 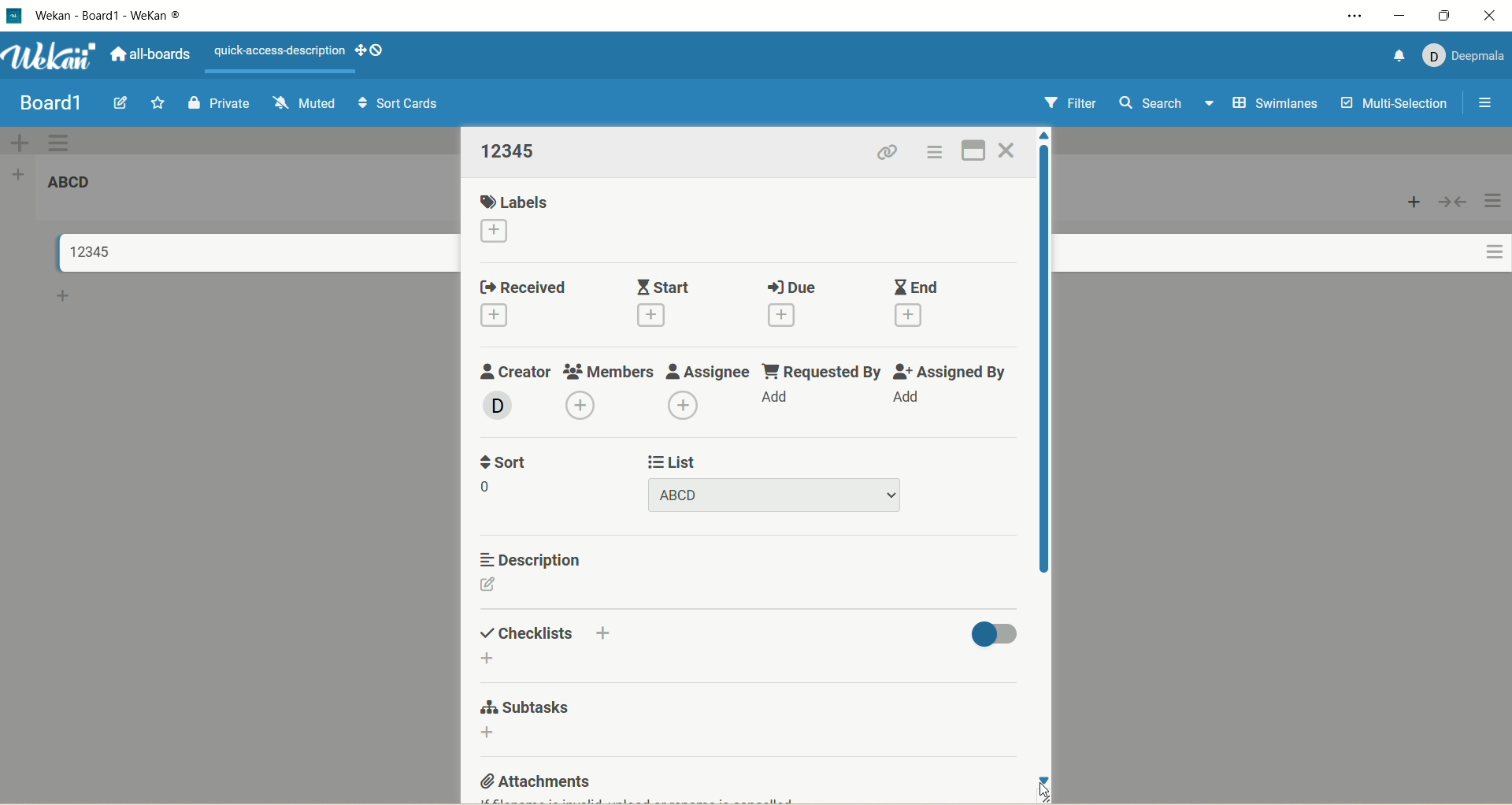 What do you see at coordinates (1392, 104) in the screenshot?
I see `multi-selection` at bounding box center [1392, 104].